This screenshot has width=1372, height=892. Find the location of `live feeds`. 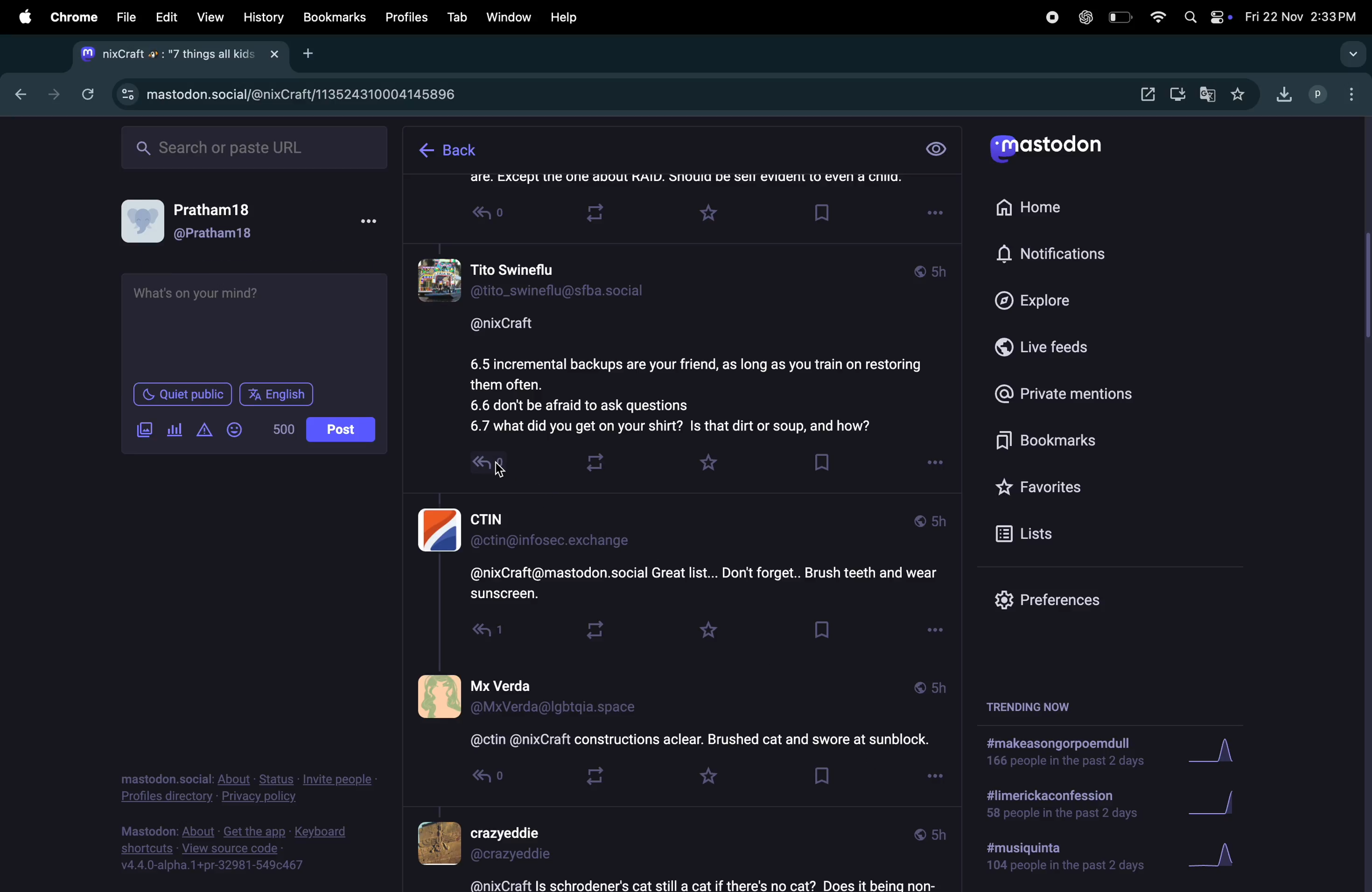

live feeds is located at coordinates (1061, 350).